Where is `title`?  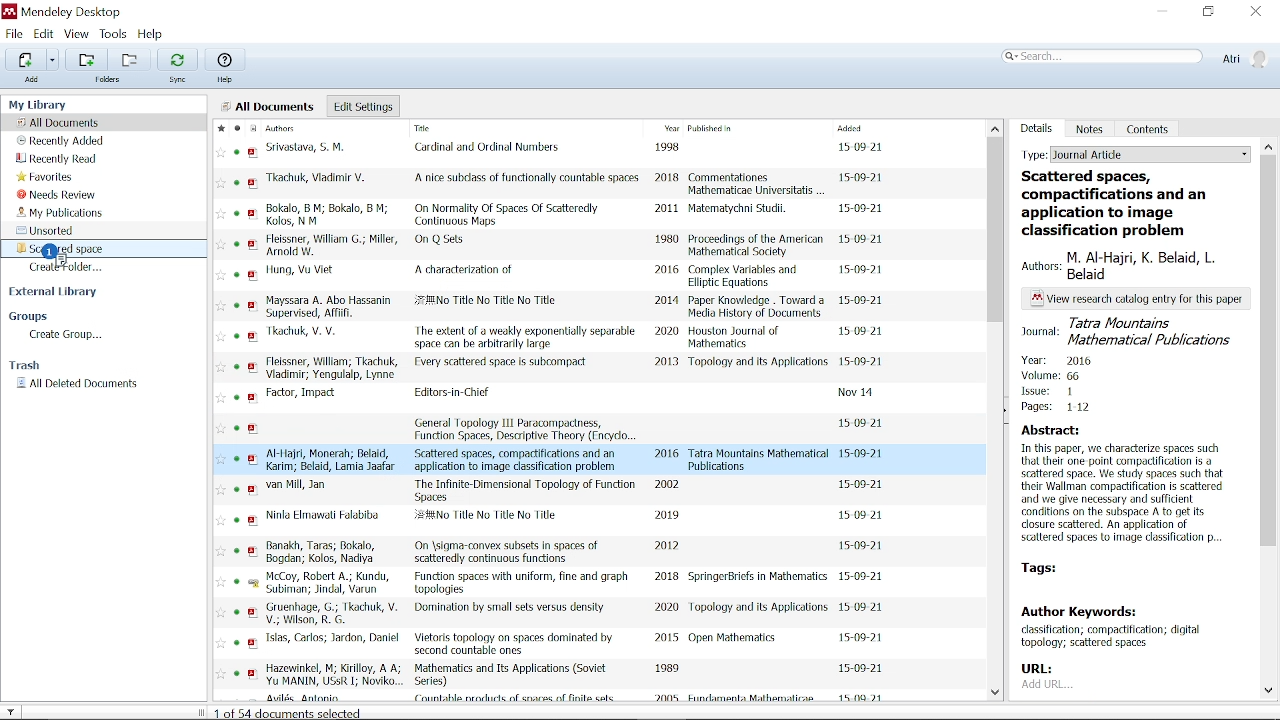
title is located at coordinates (525, 490).